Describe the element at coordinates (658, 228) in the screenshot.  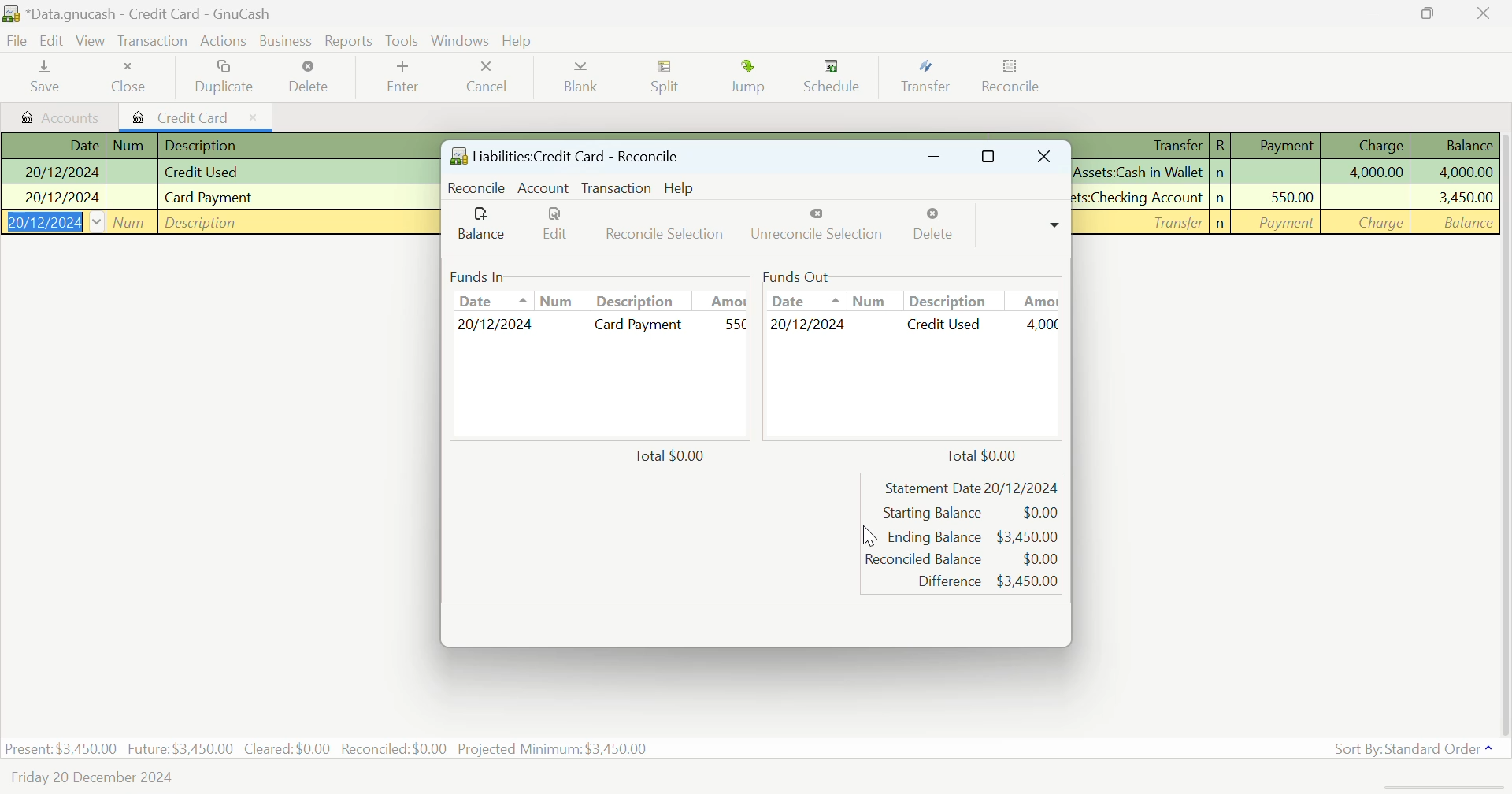
I see `Reconcile Selection` at that location.